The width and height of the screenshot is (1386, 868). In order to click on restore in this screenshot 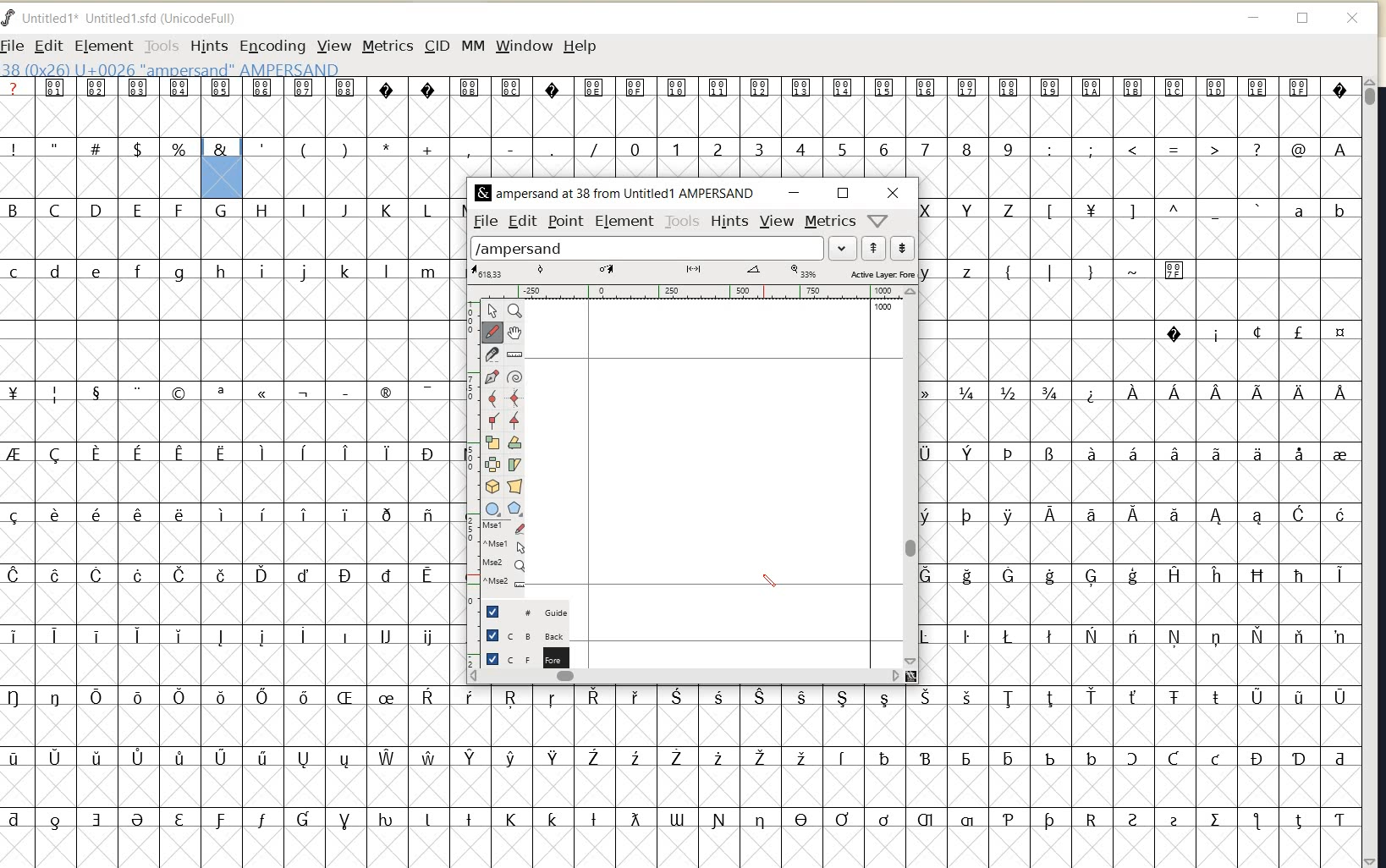, I will do `click(1302, 19)`.